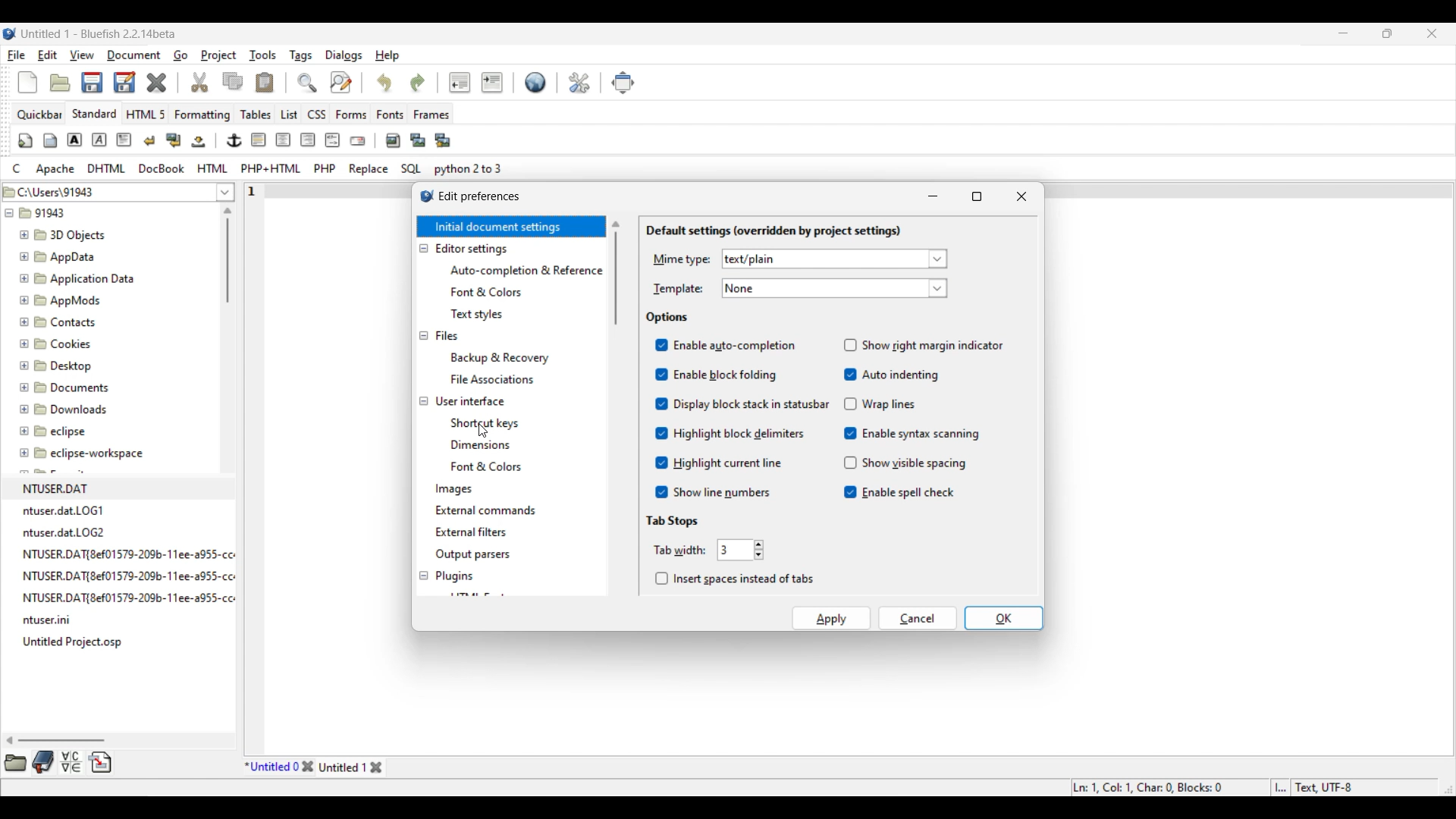 The width and height of the screenshot is (1456, 819). Describe the element at coordinates (61, 321) in the screenshot. I see `Contacts` at that location.